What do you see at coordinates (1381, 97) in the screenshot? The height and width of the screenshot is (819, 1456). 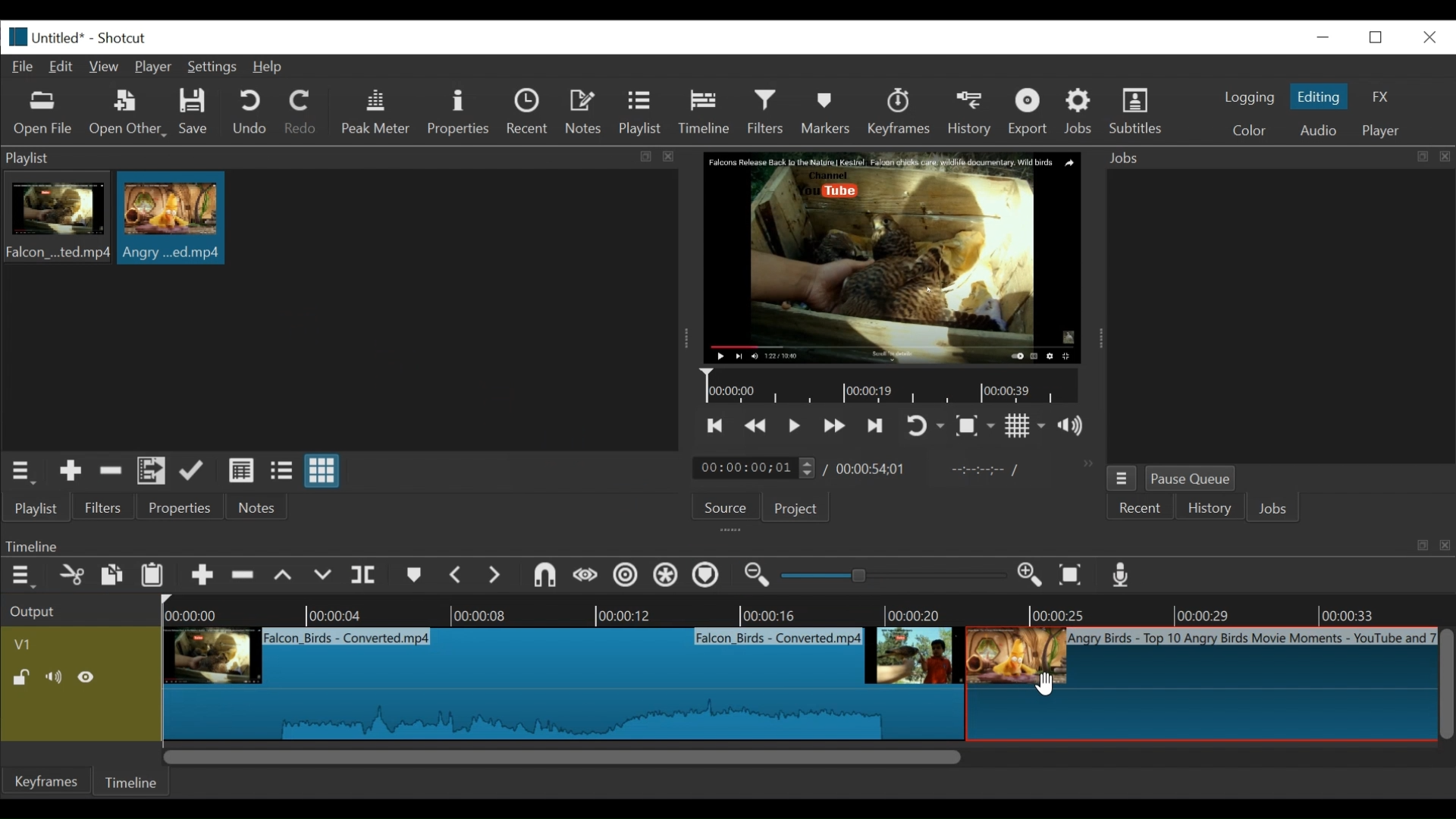 I see `FX` at bounding box center [1381, 97].